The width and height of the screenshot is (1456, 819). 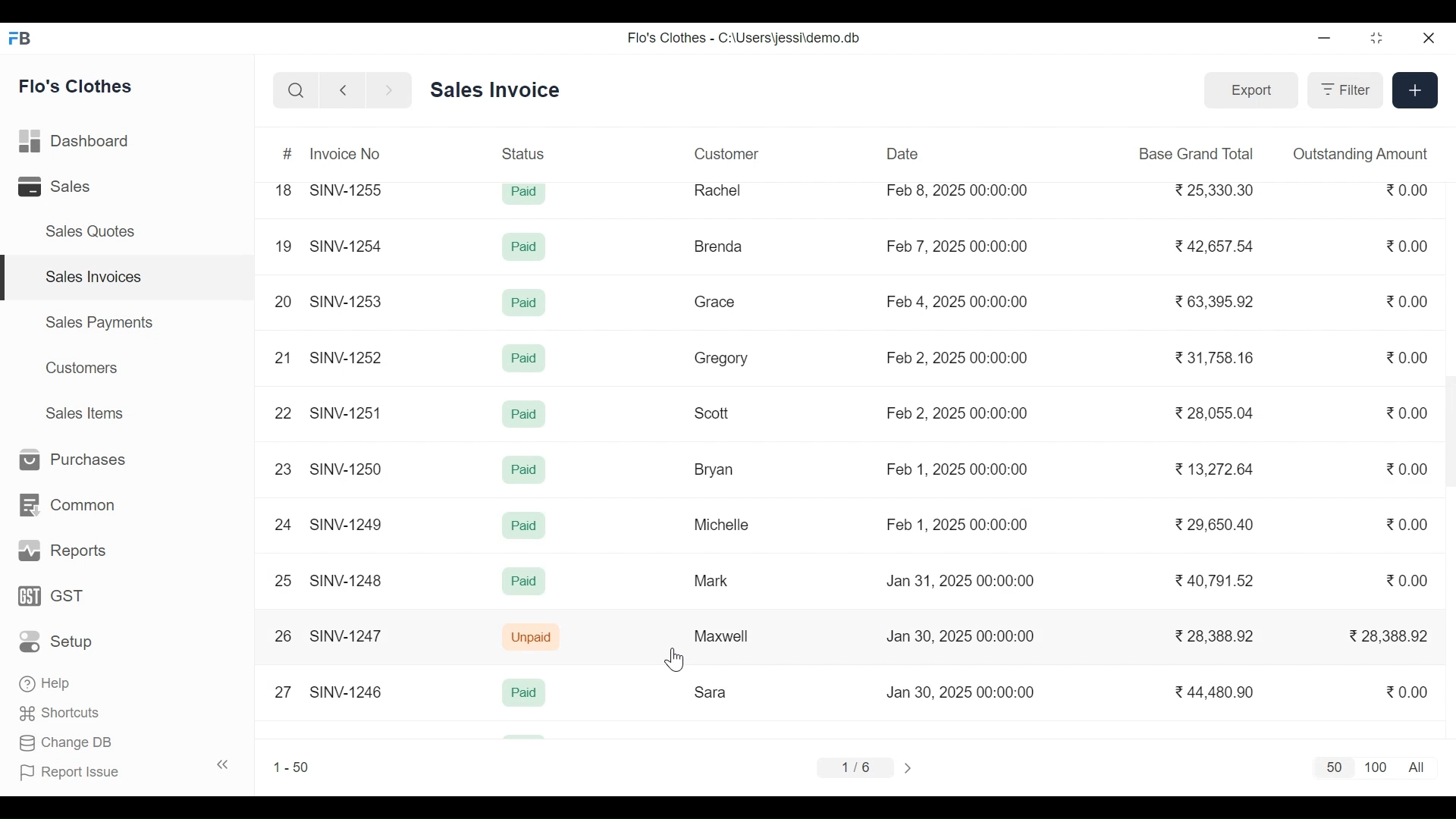 I want to click on Paid, so click(x=526, y=249).